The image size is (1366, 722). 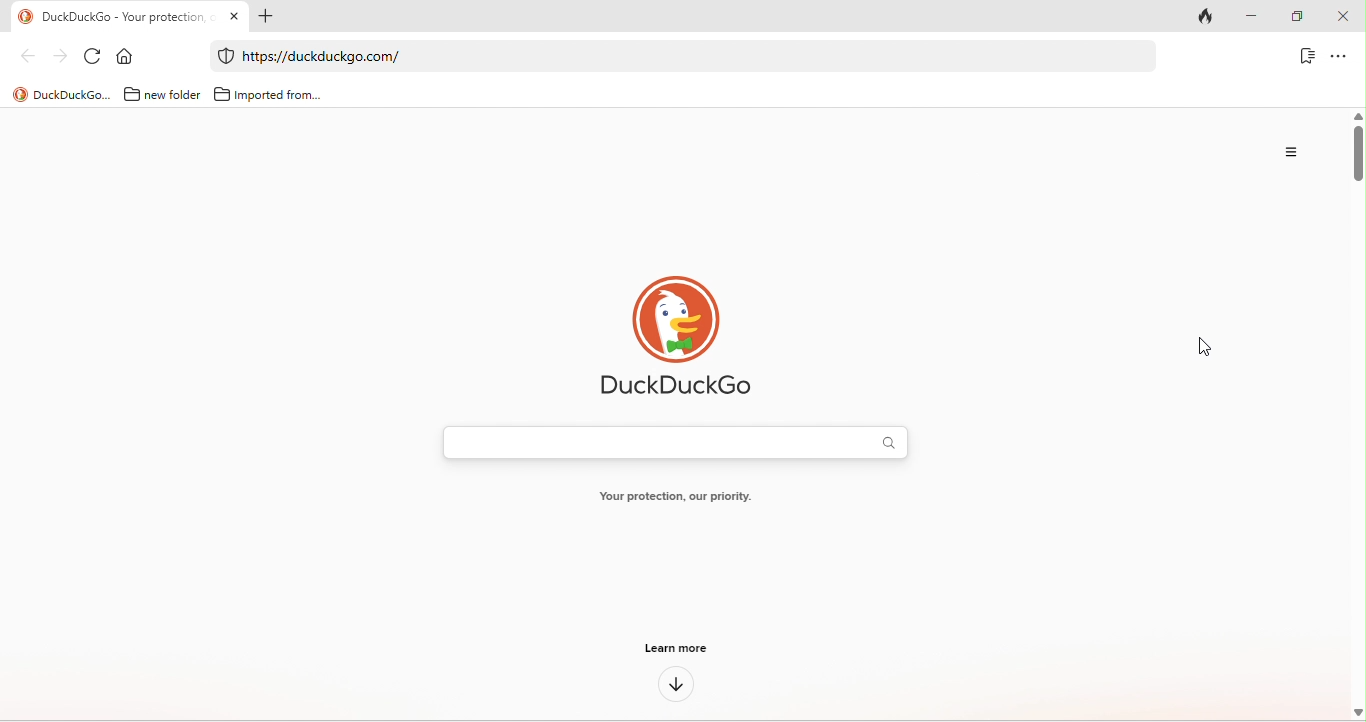 I want to click on learn more, so click(x=677, y=651).